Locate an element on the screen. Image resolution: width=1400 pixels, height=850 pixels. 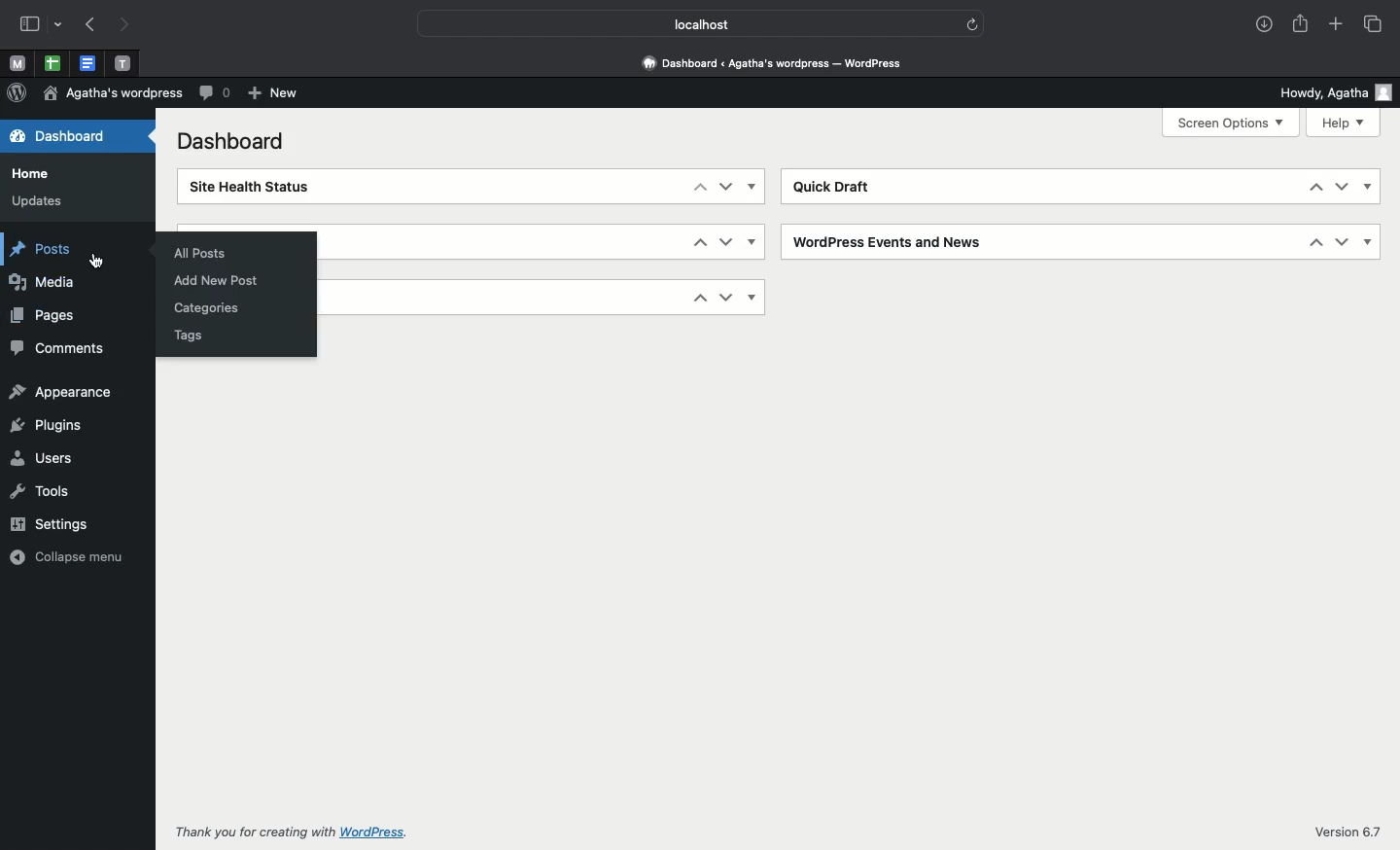
Hide is located at coordinates (754, 243).